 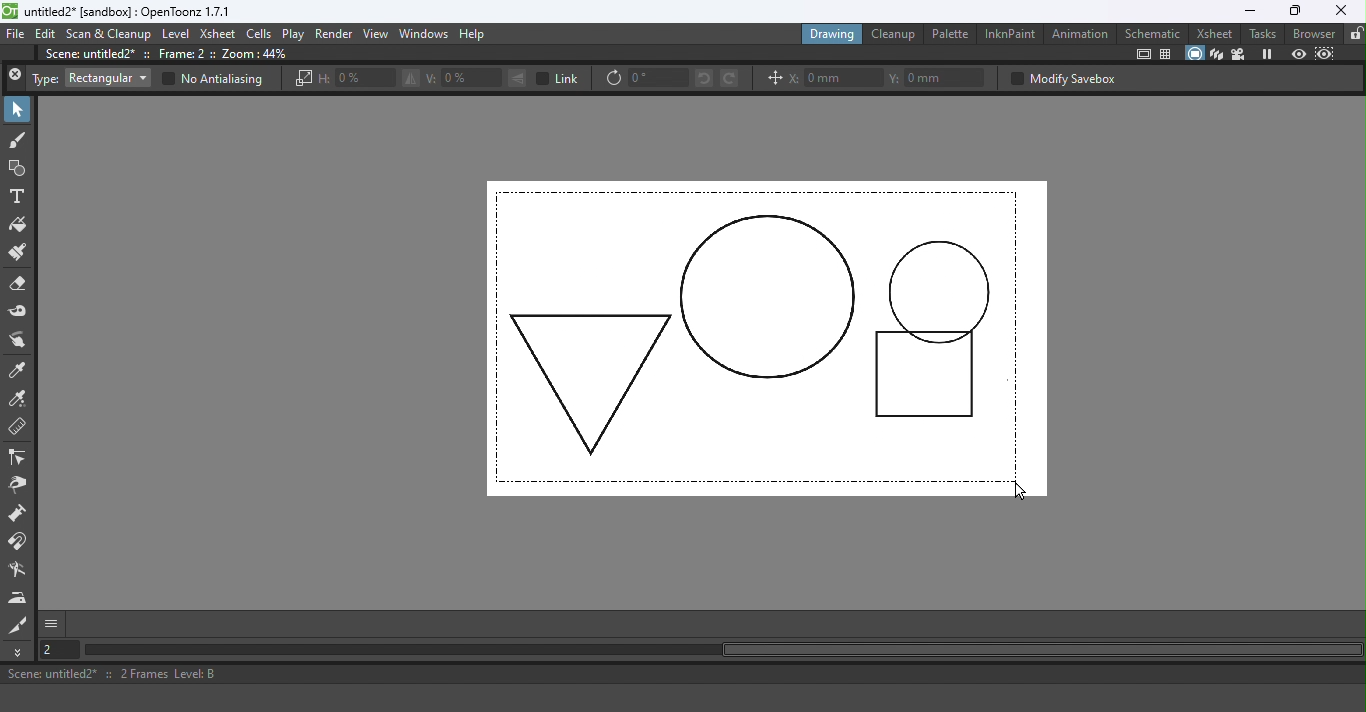 What do you see at coordinates (18, 625) in the screenshot?
I see `Cutter tool` at bounding box center [18, 625].